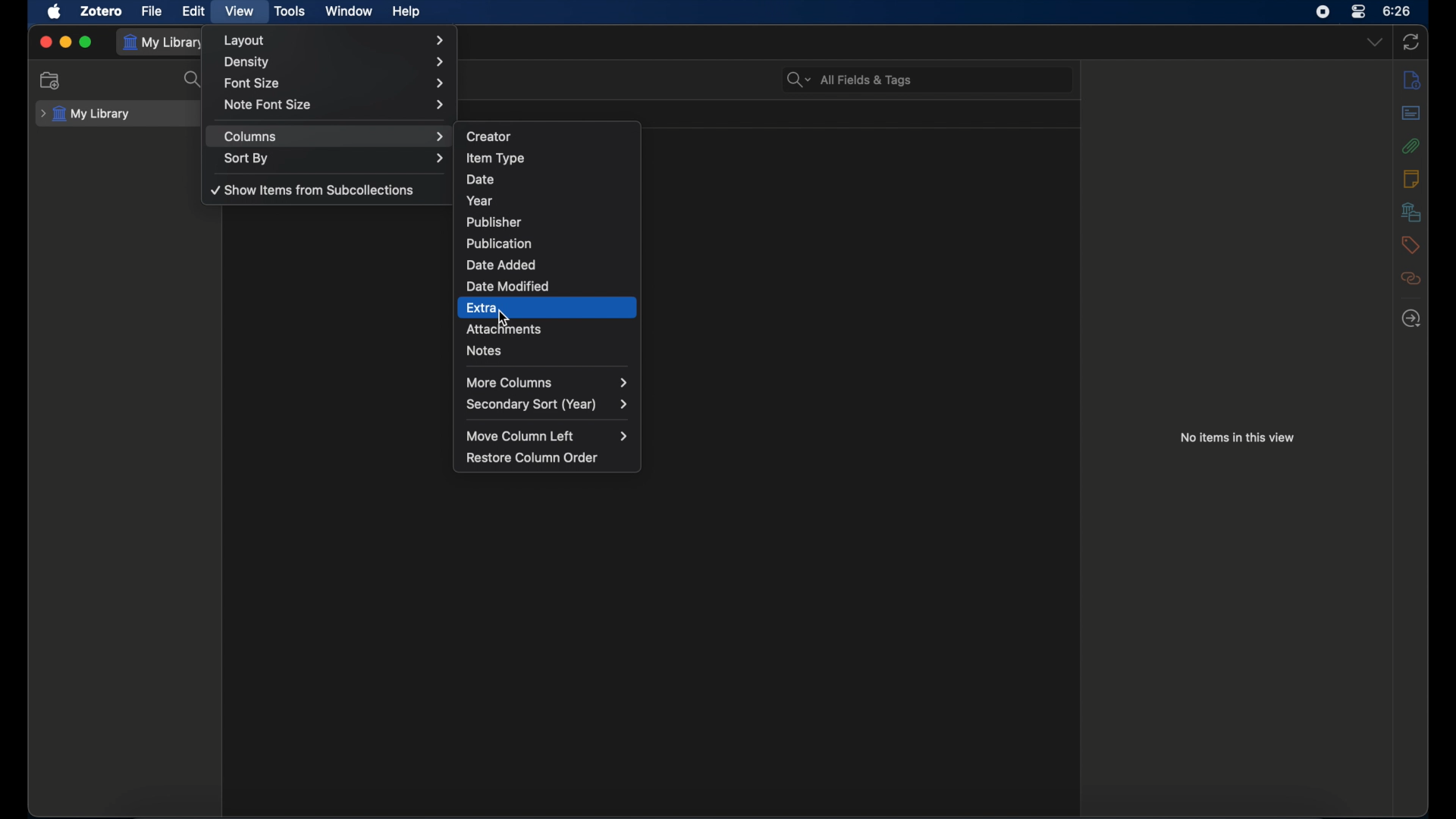 Image resolution: width=1456 pixels, height=819 pixels. Describe the element at coordinates (1238, 438) in the screenshot. I see `no items in this view` at that location.